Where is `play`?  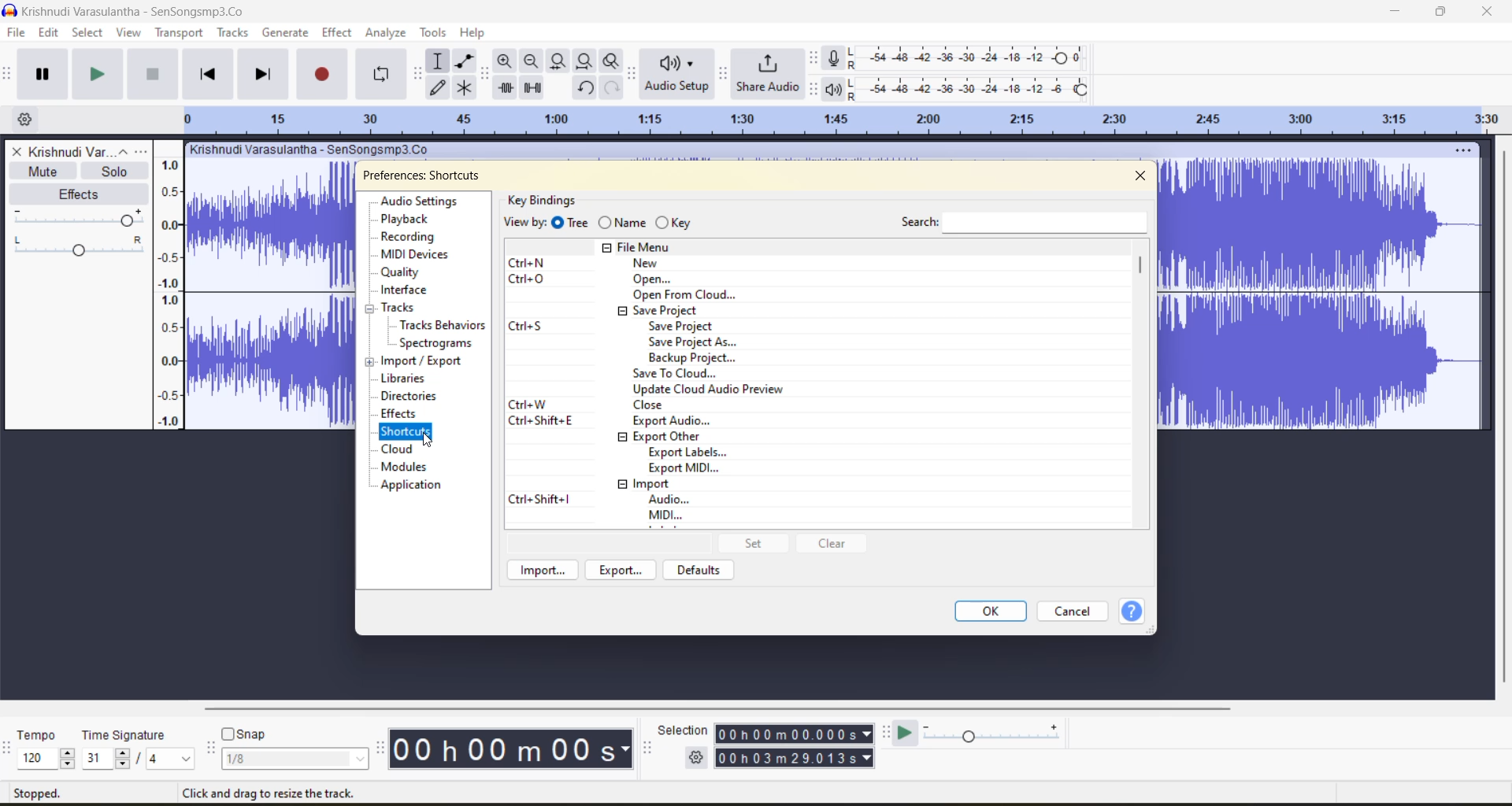 play is located at coordinates (99, 75).